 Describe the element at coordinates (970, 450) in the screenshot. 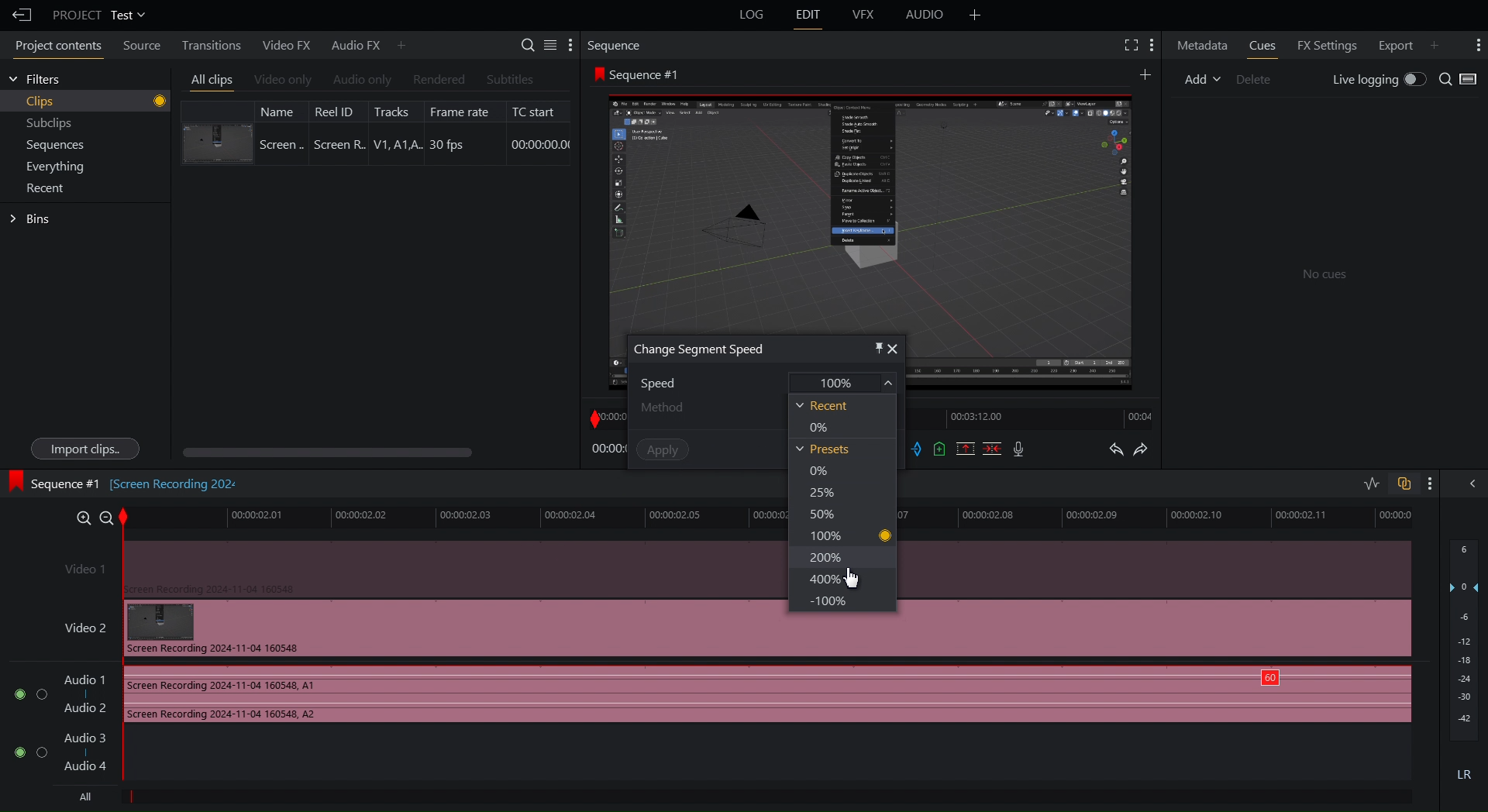

I see `Sequence Controls` at that location.